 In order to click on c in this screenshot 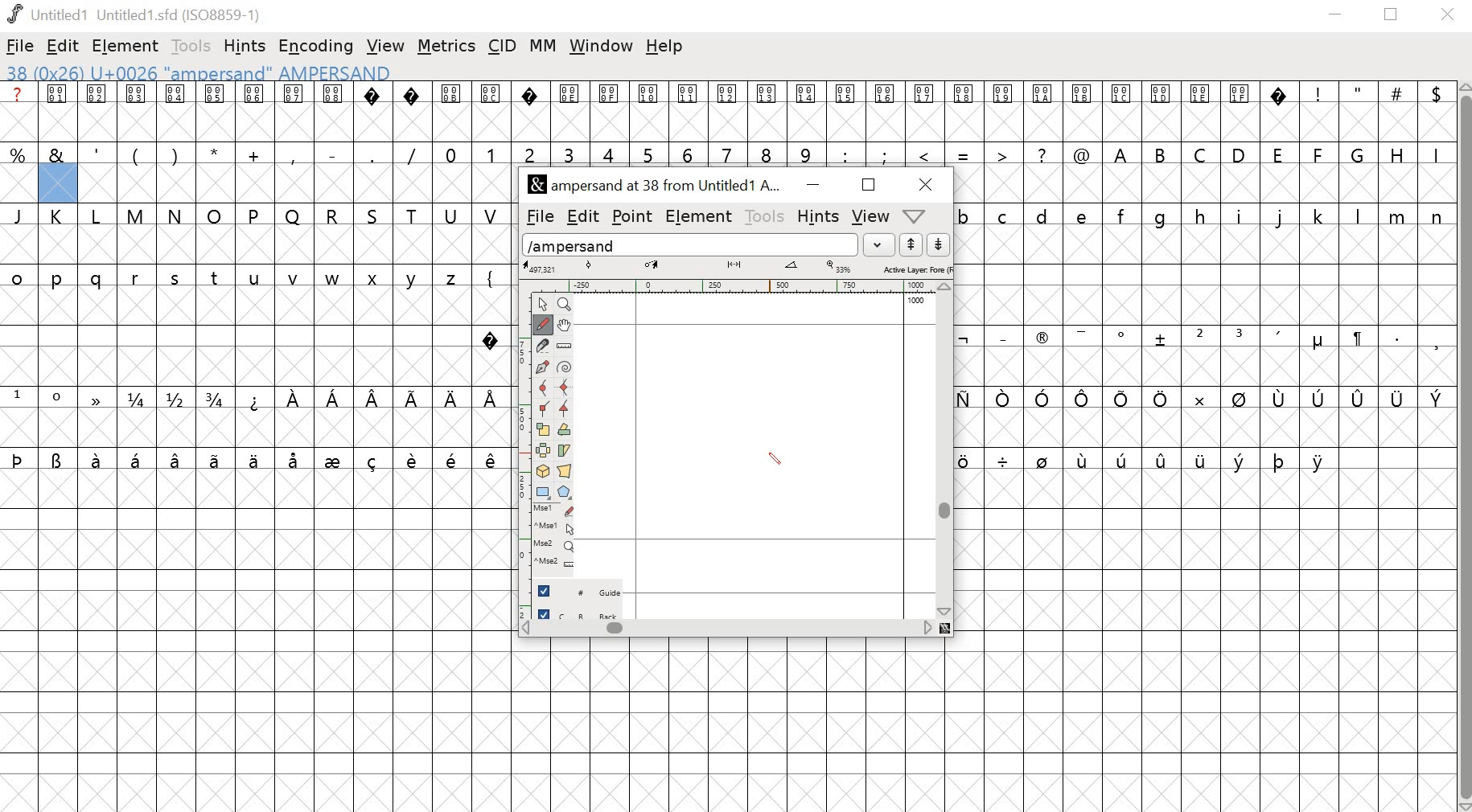, I will do `click(1005, 215)`.